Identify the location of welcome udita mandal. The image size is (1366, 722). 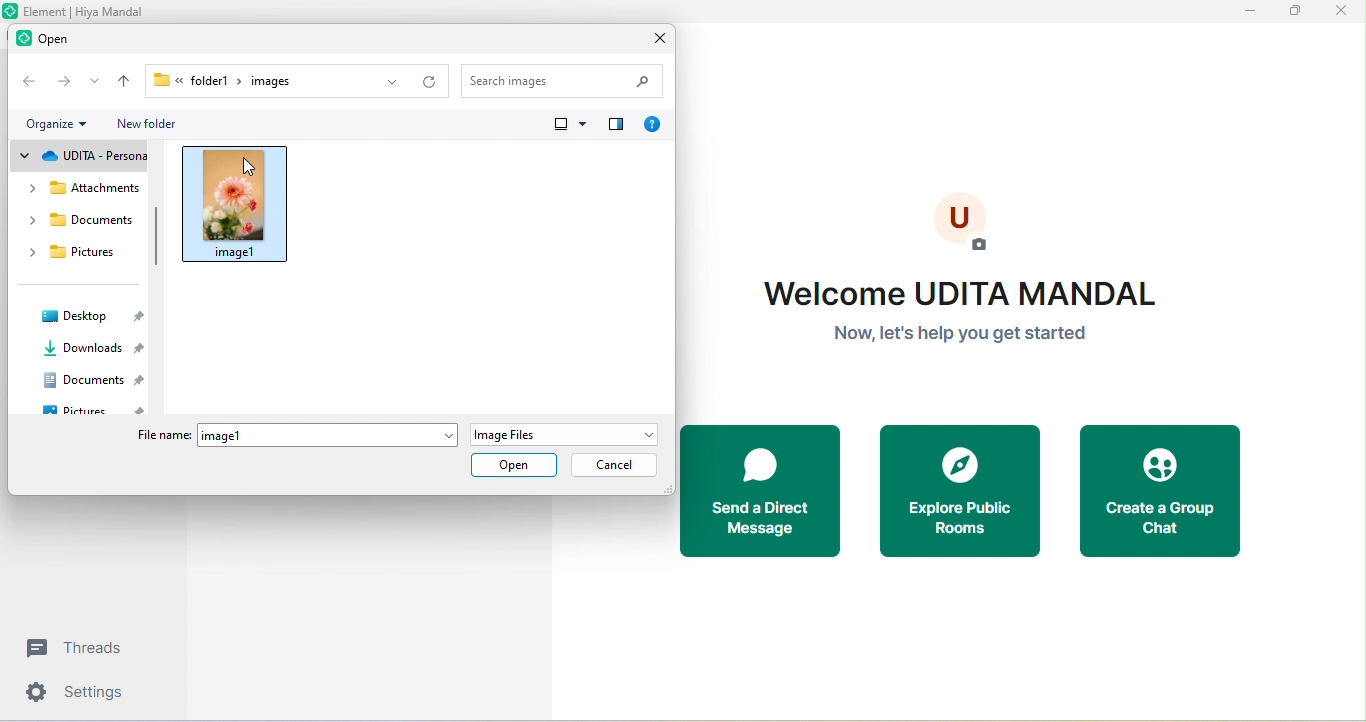
(953, 317).